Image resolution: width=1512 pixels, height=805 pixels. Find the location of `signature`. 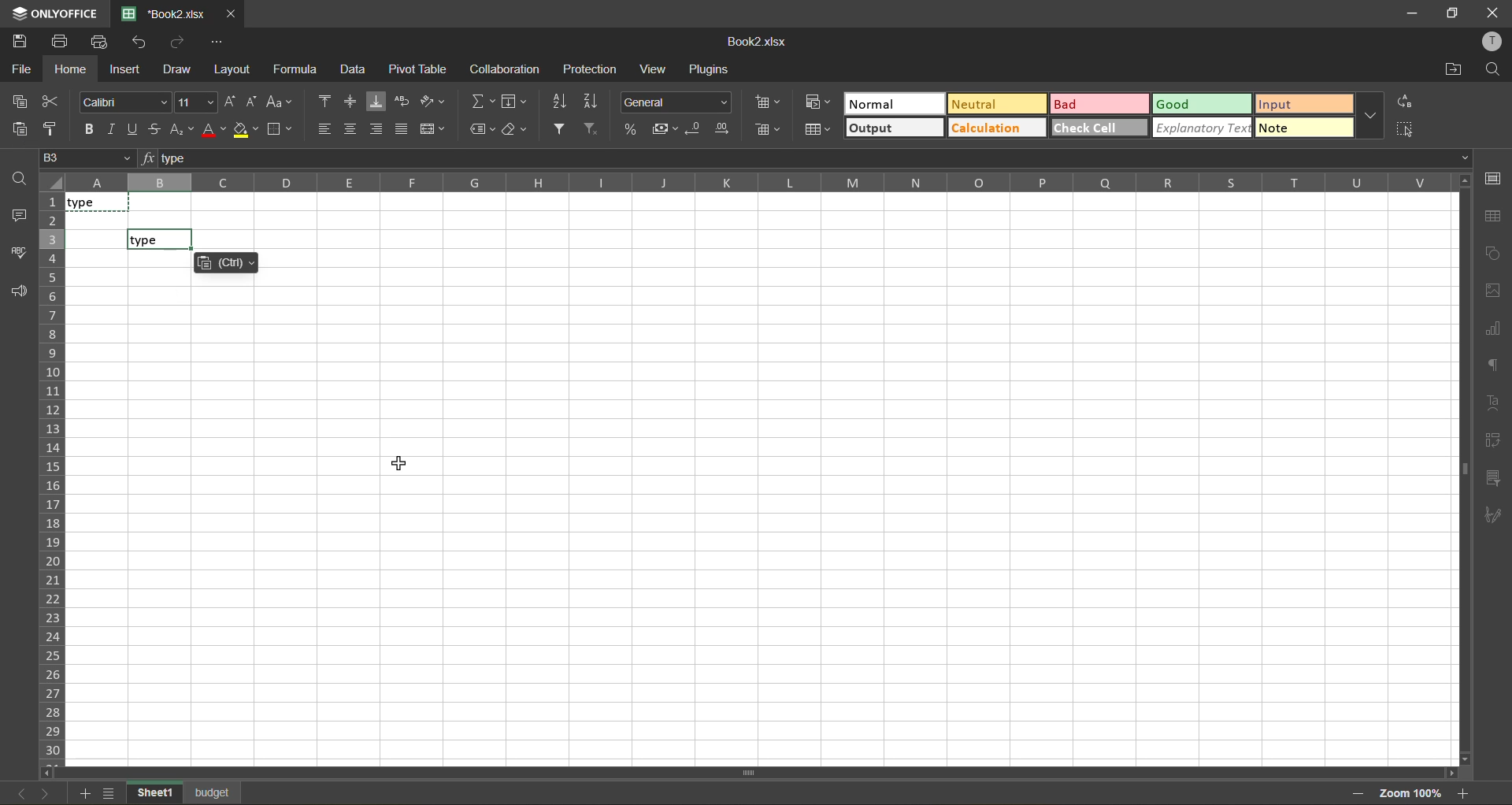

signature is located at coordinates (1492, 517).